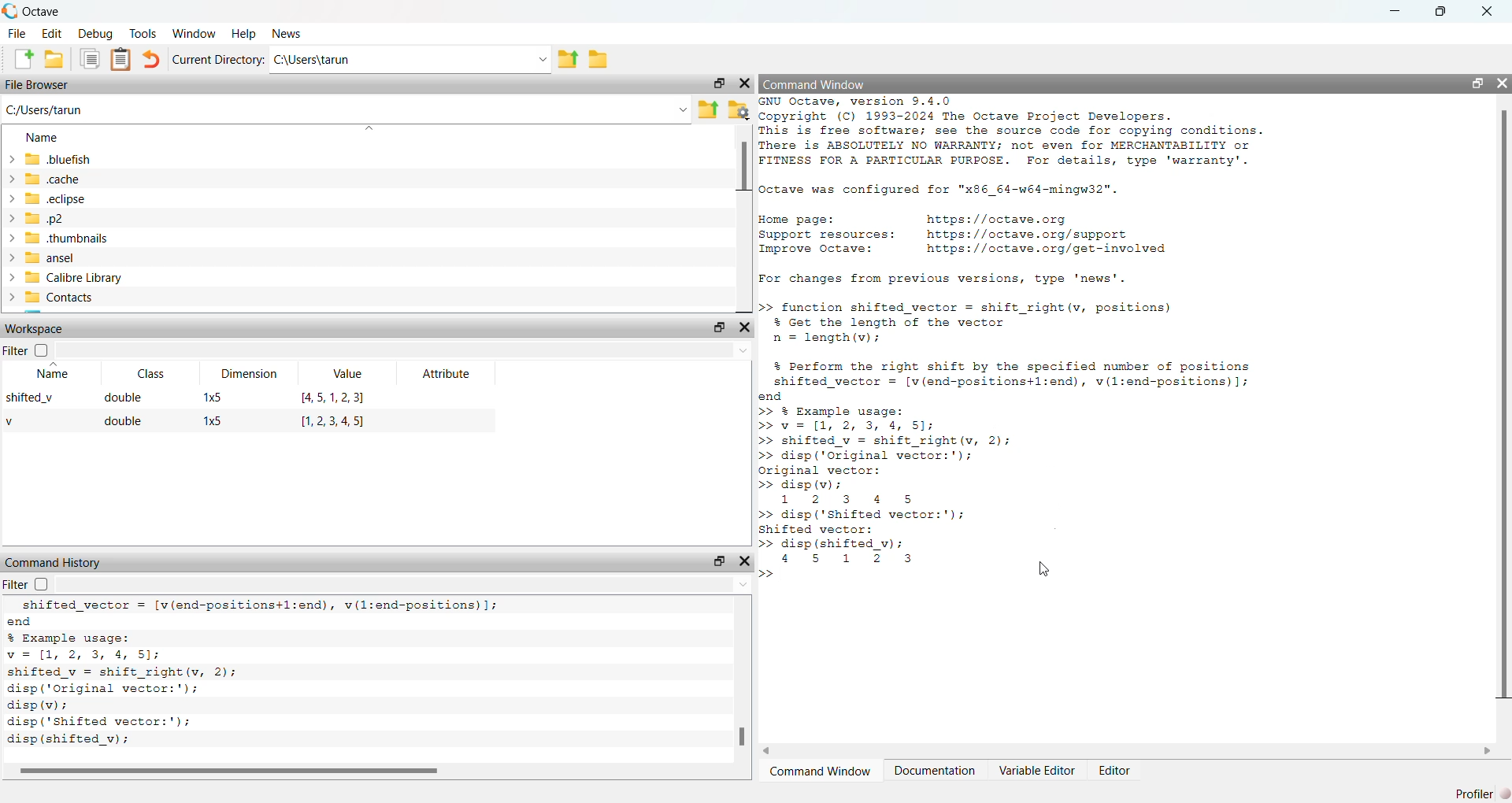 This screenshot has height=803, width=1512. What do you see at coordinates (126, 398) in the screenshot?
I see `double` at bounding box center [126, 398].